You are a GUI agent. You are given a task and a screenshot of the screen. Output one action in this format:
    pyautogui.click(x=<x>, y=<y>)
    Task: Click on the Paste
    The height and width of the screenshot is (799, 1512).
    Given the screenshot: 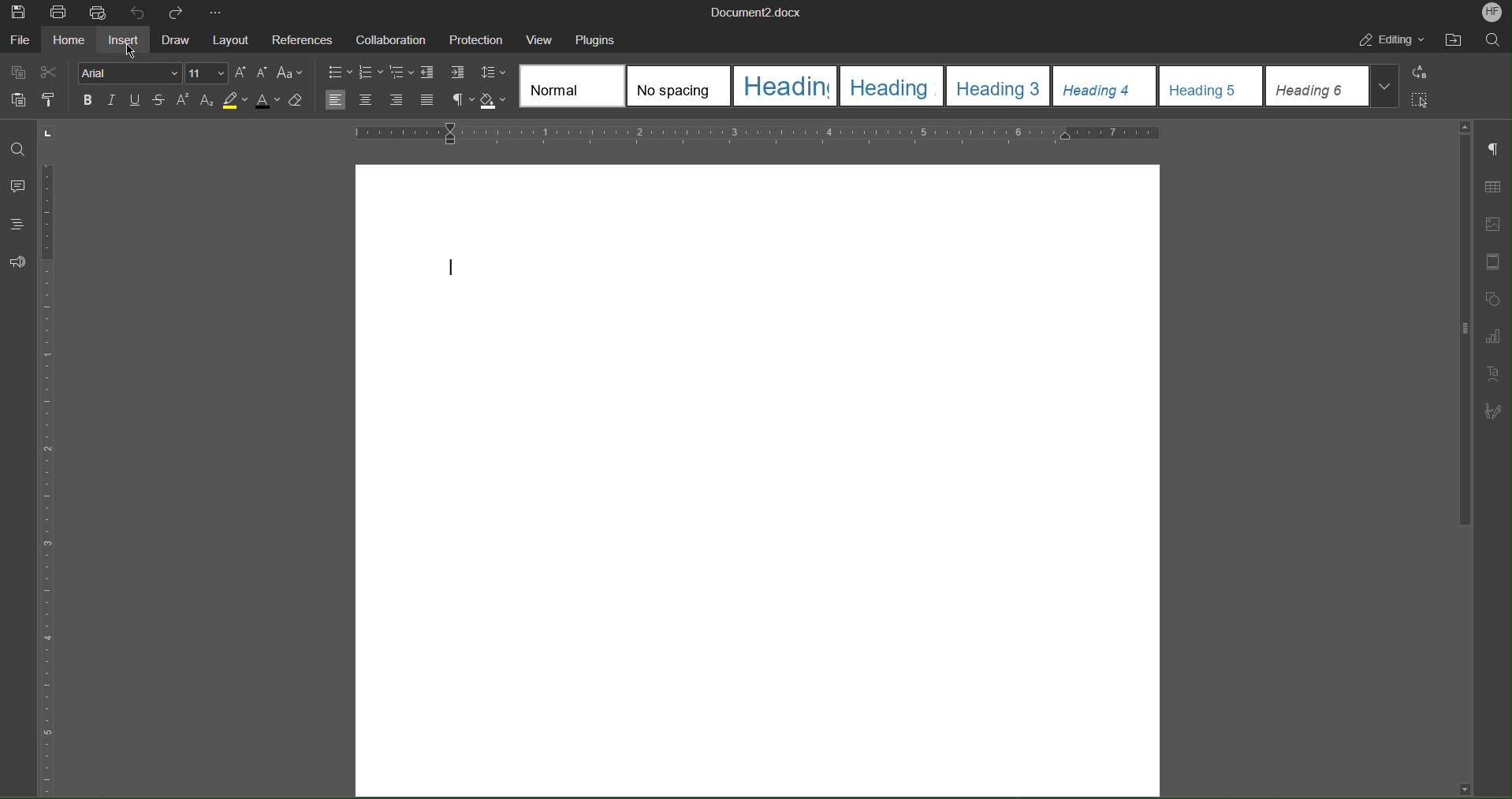 What is the action you would take?
    pyautogui.click(x=18, y=99)
    